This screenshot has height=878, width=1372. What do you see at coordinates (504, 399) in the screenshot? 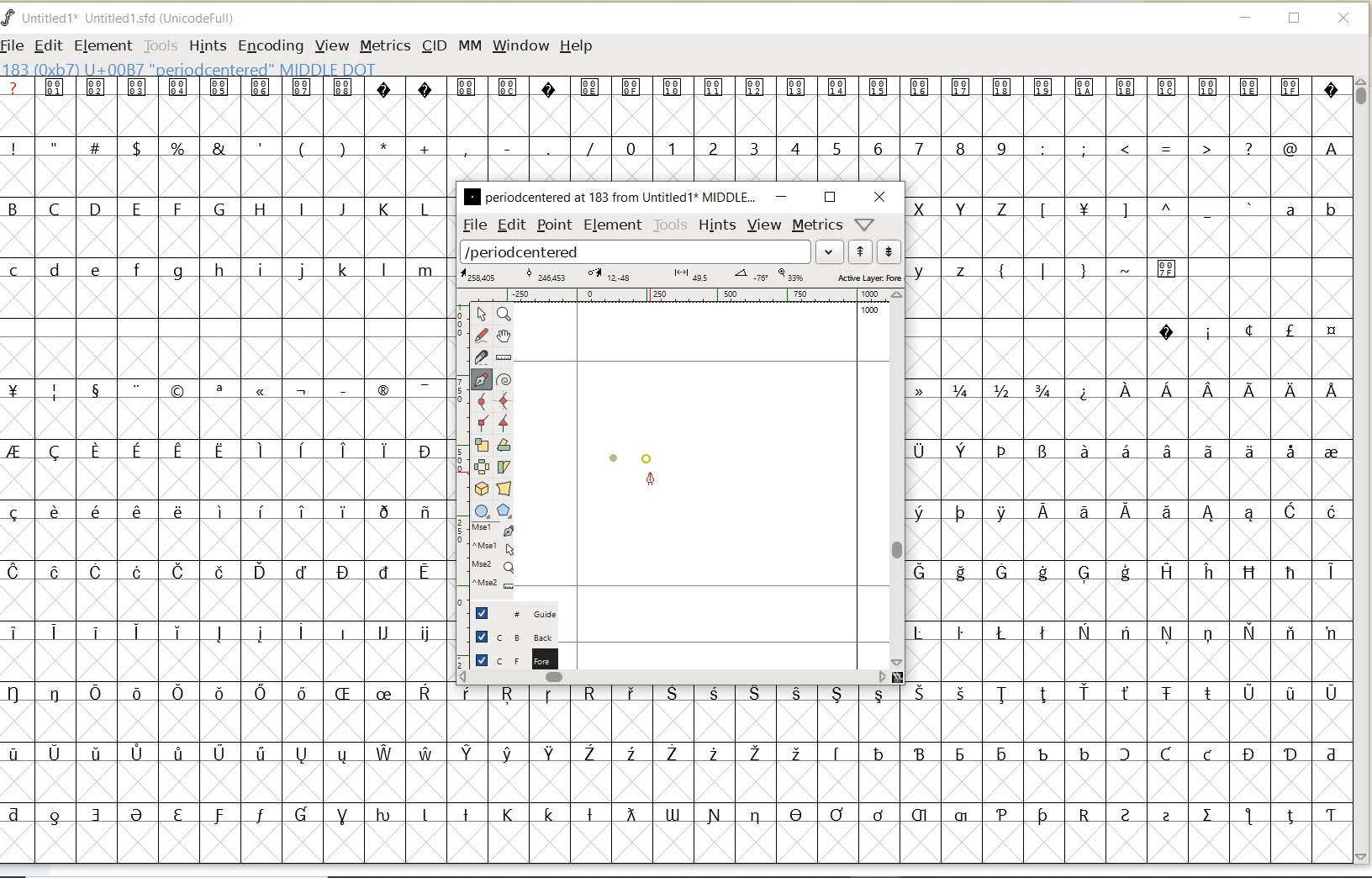
I see `add a curve point always either horizontal or vertical` at bounding box center [504, 399].